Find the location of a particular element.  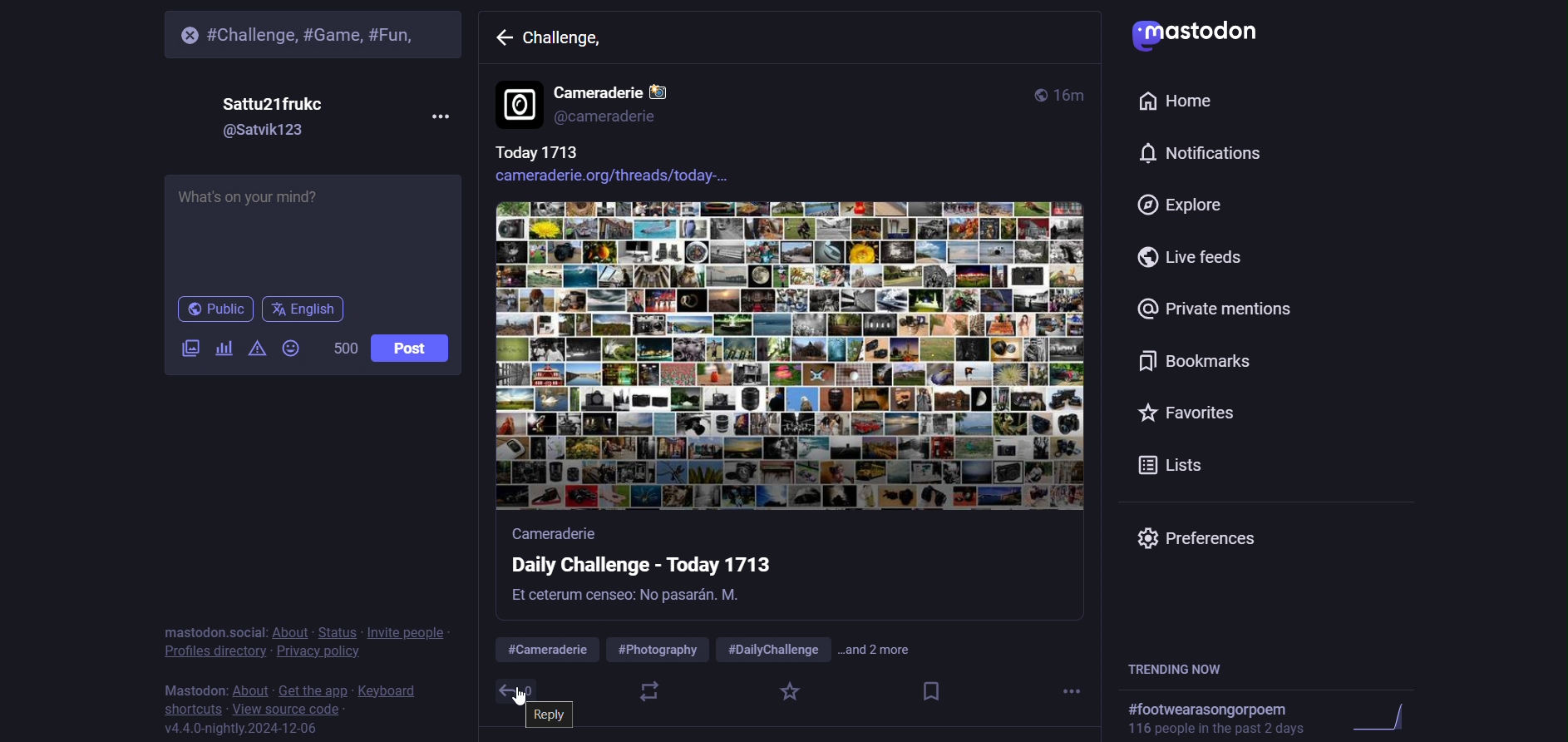

home is located at coordinates (1178, 101).